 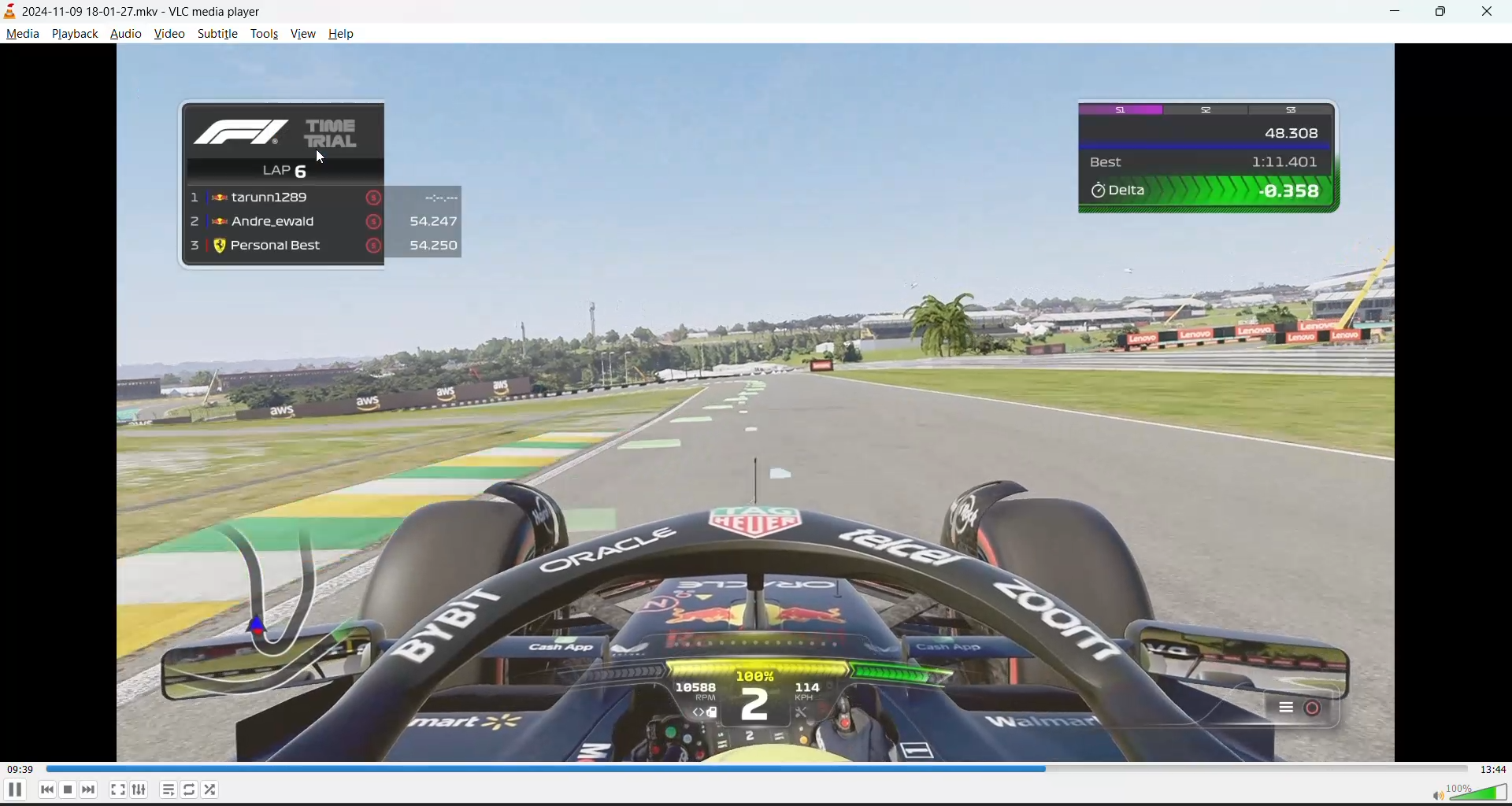 I want to click on fullscreen, so click(x=117, y=789).